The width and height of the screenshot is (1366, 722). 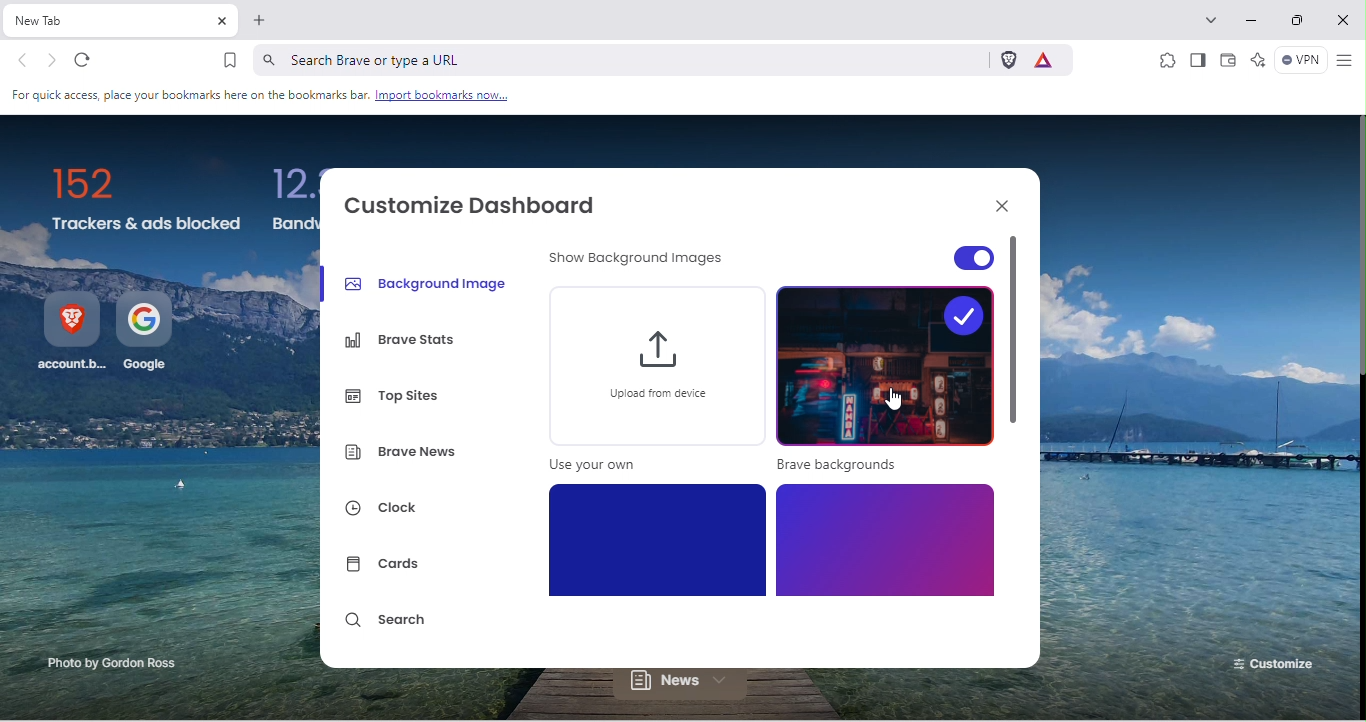 I want to click on Close, so click(x=997, y=204).